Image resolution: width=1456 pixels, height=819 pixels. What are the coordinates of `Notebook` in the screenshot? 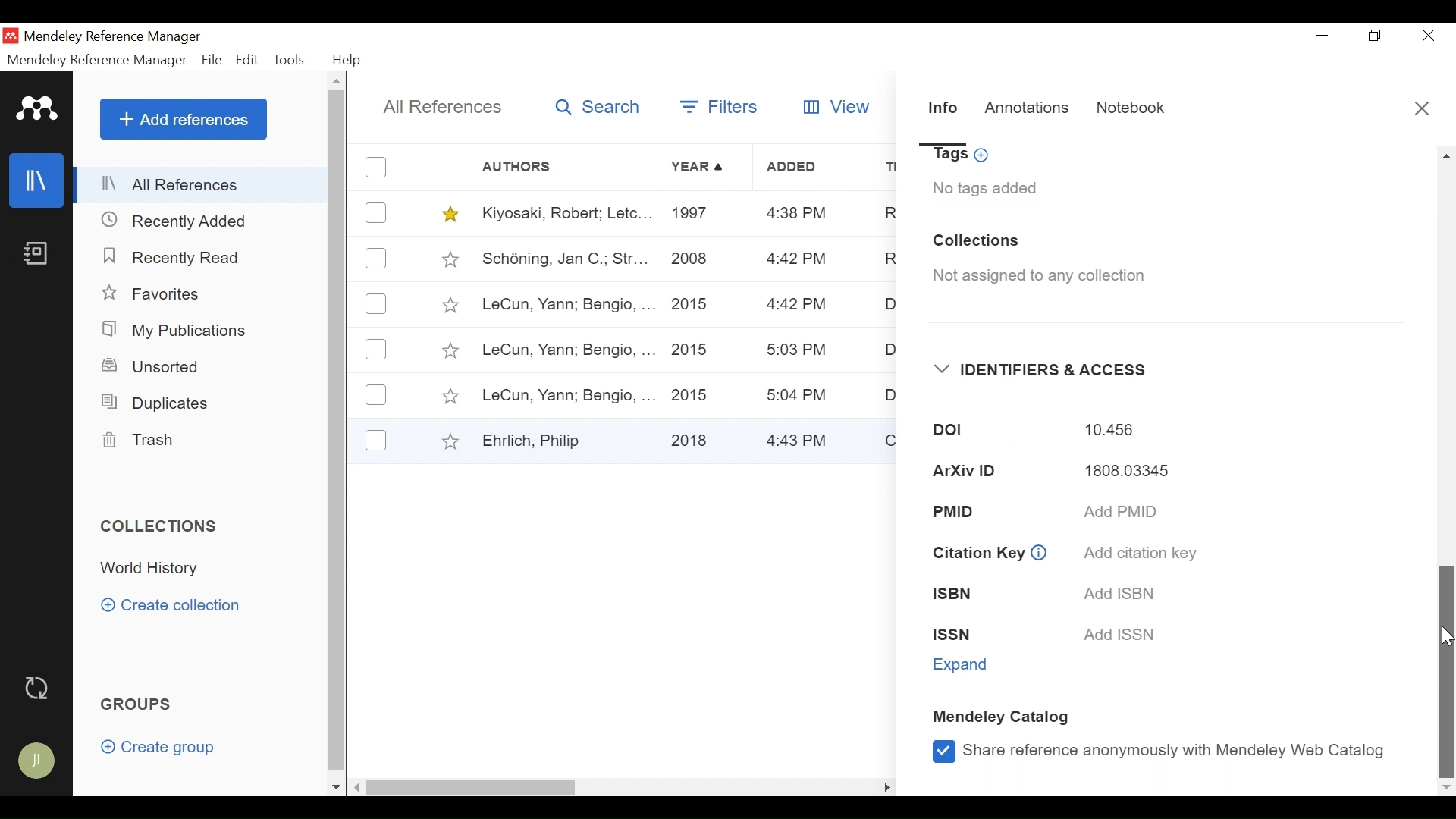 It's located at (1131, 111).